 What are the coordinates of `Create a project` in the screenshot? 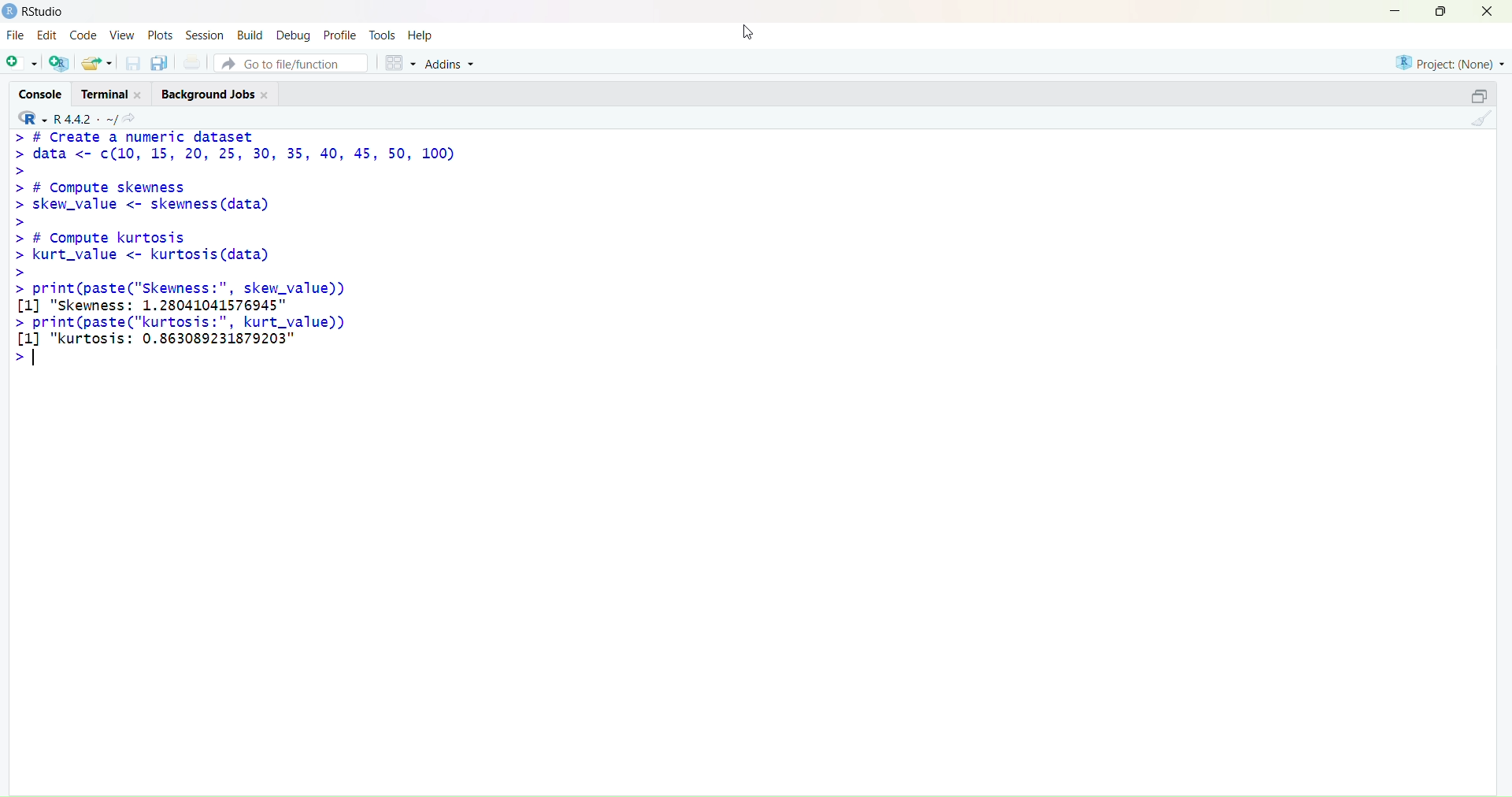 It's located at (59, 63).